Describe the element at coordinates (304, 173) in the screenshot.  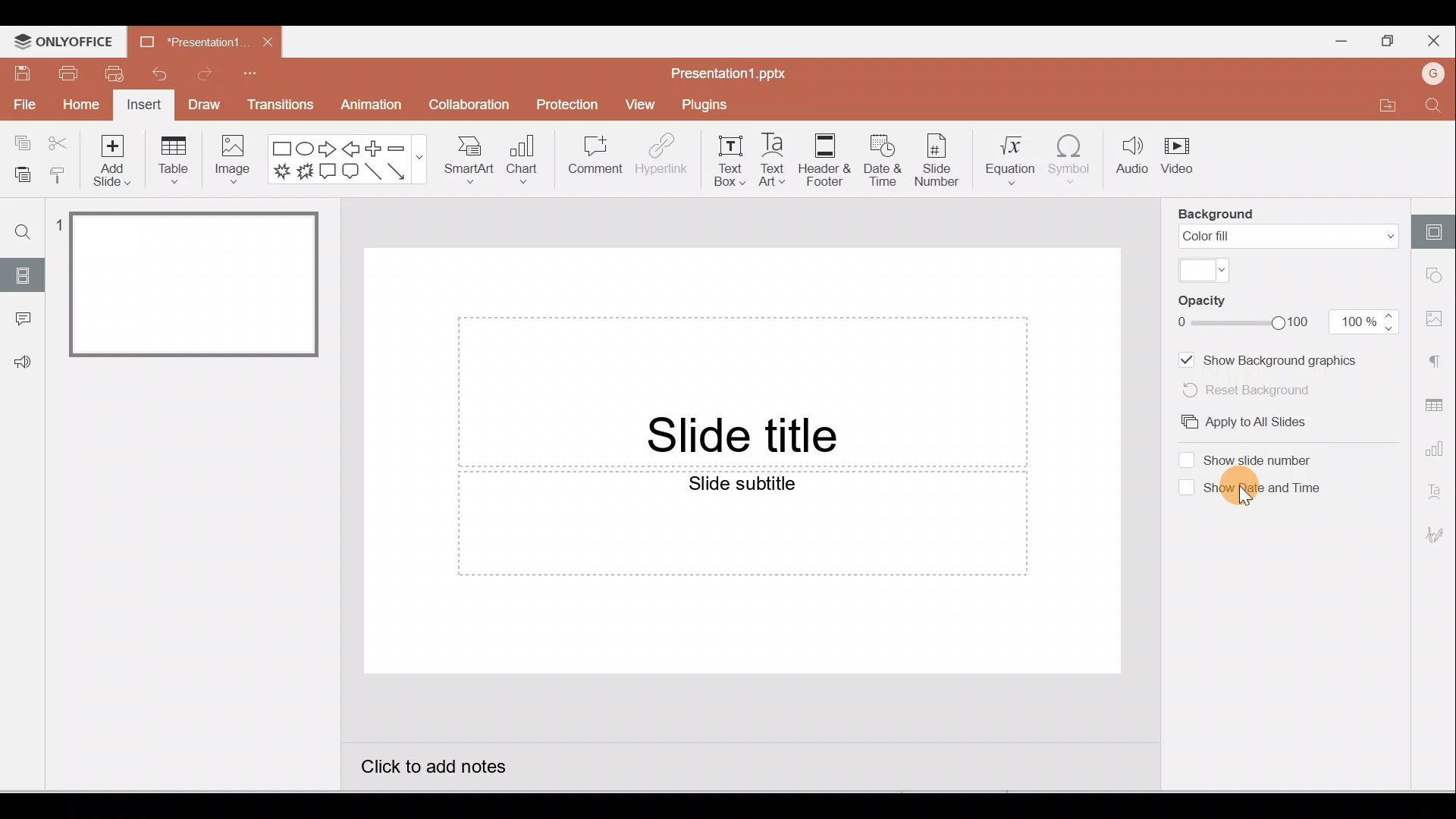
I see `Explosion 2` at that location.